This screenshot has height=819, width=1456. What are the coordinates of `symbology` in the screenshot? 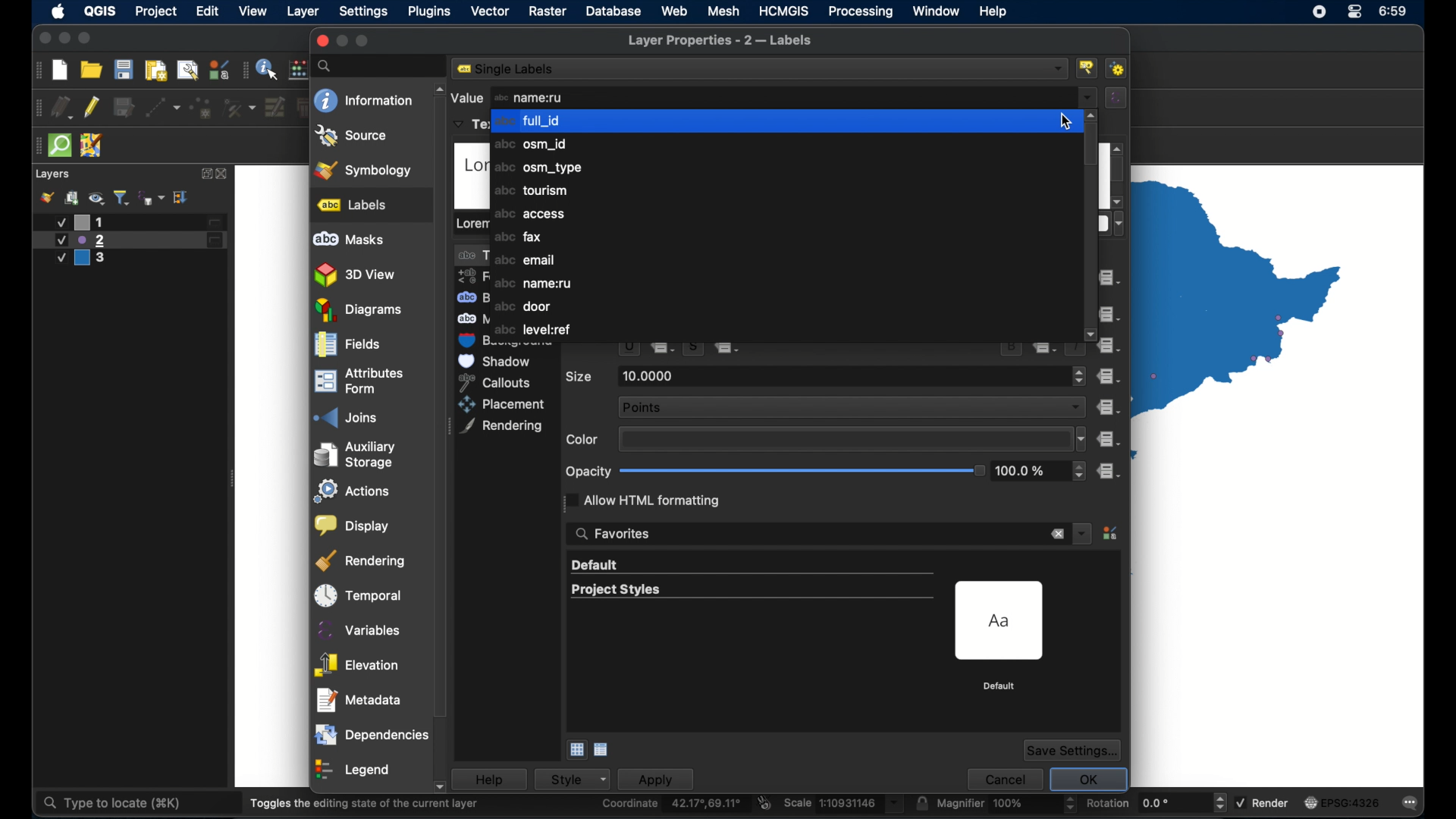 It's located at (365, 169).